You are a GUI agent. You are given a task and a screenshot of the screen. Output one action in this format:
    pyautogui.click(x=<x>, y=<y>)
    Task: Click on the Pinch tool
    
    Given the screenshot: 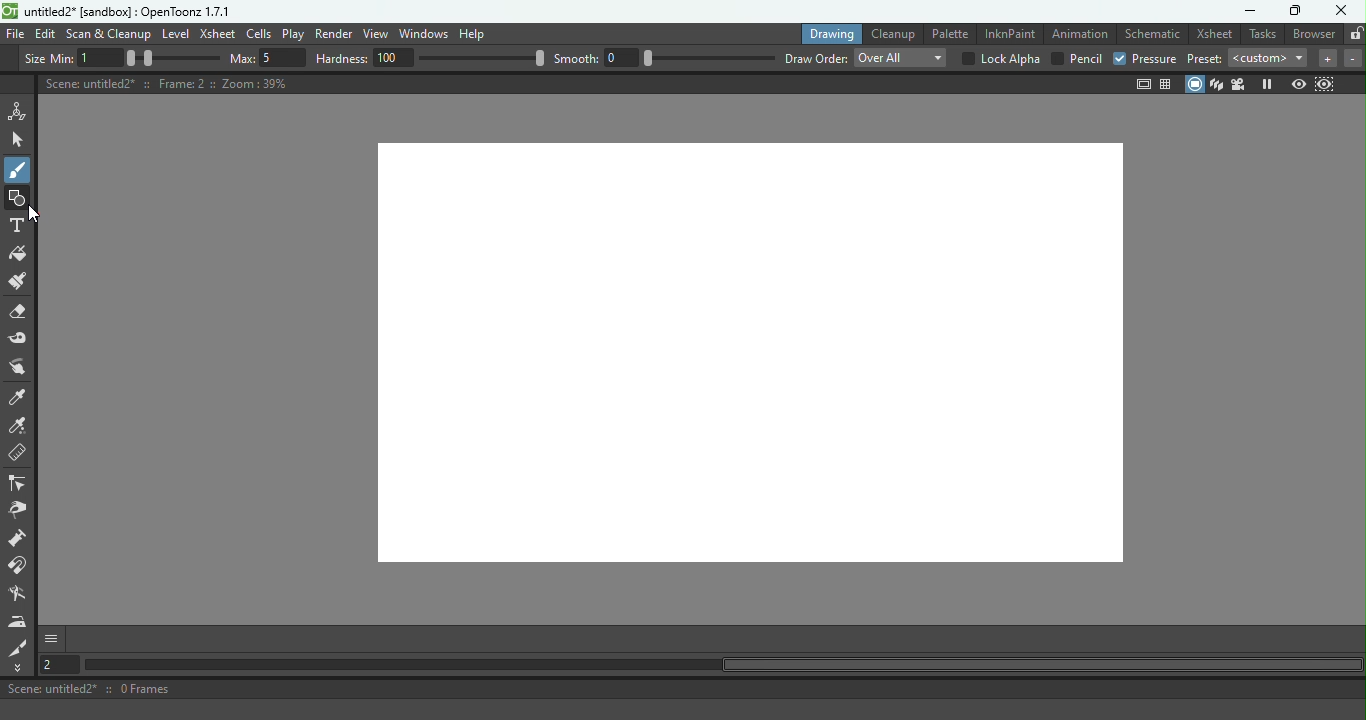 What is the action you would take?
    pyautogui.click(x=23, y=367)
    